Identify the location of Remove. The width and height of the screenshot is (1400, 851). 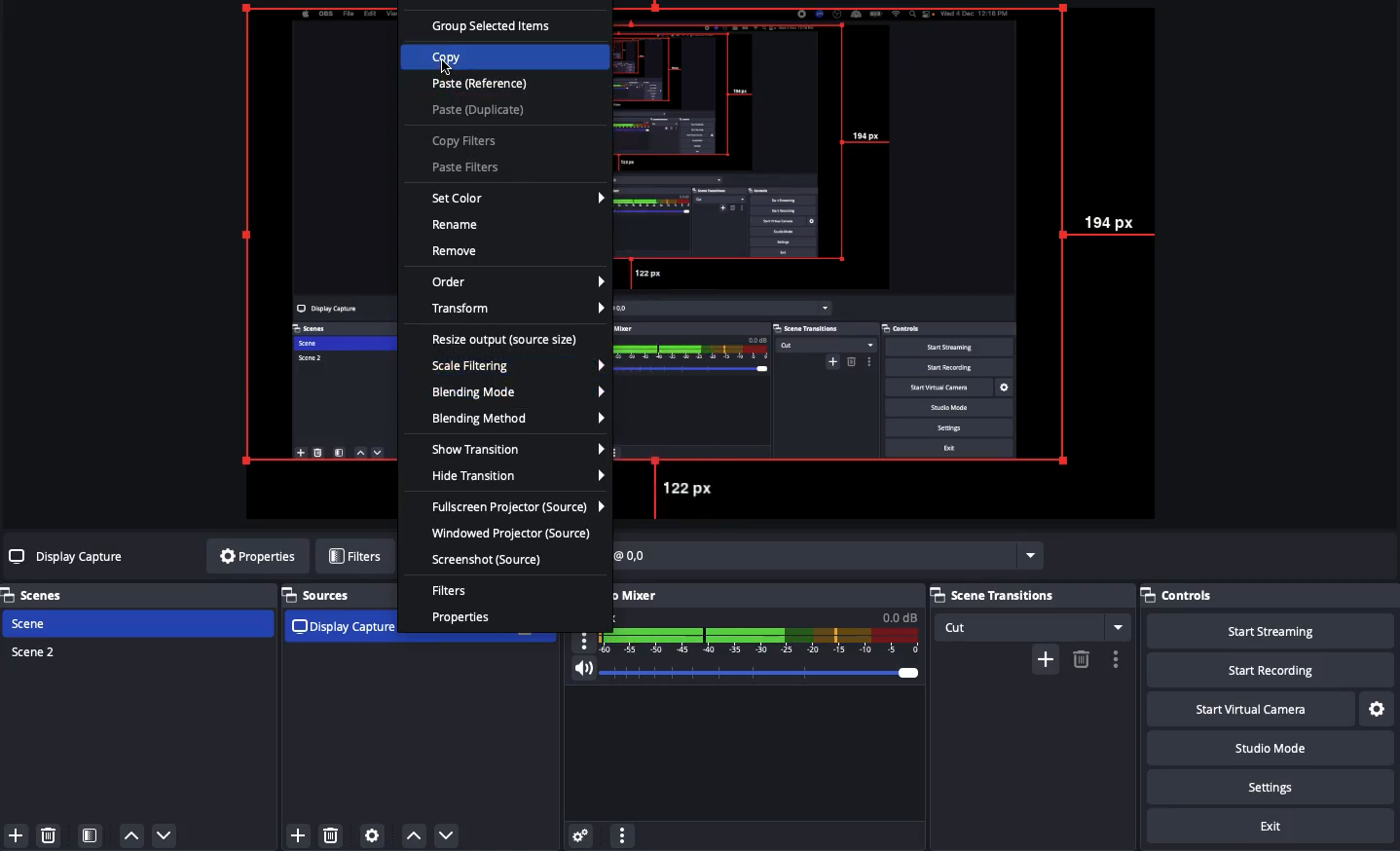
(48, 833).